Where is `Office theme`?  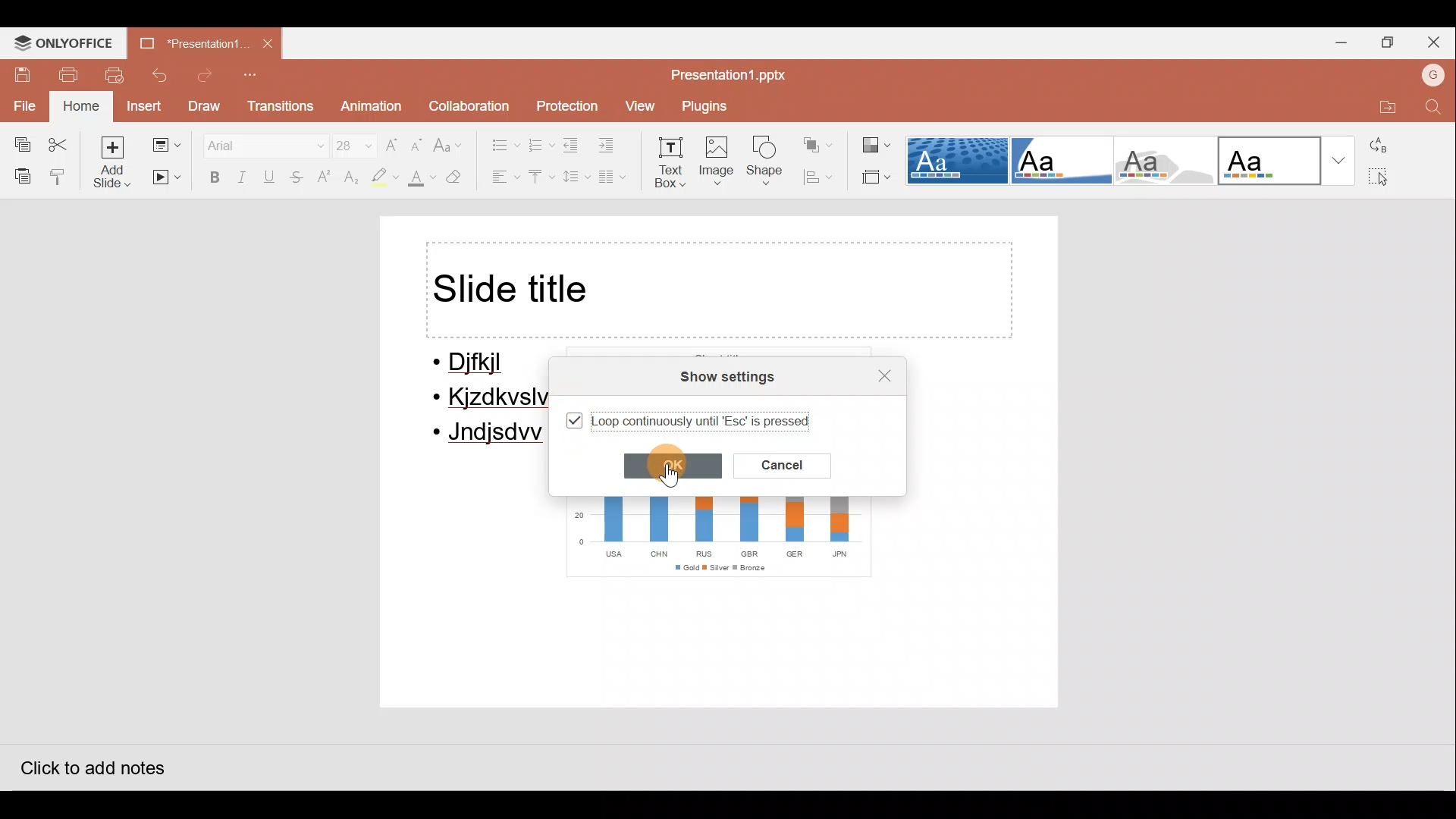
Office theme is located at coordinates (1288, 161).